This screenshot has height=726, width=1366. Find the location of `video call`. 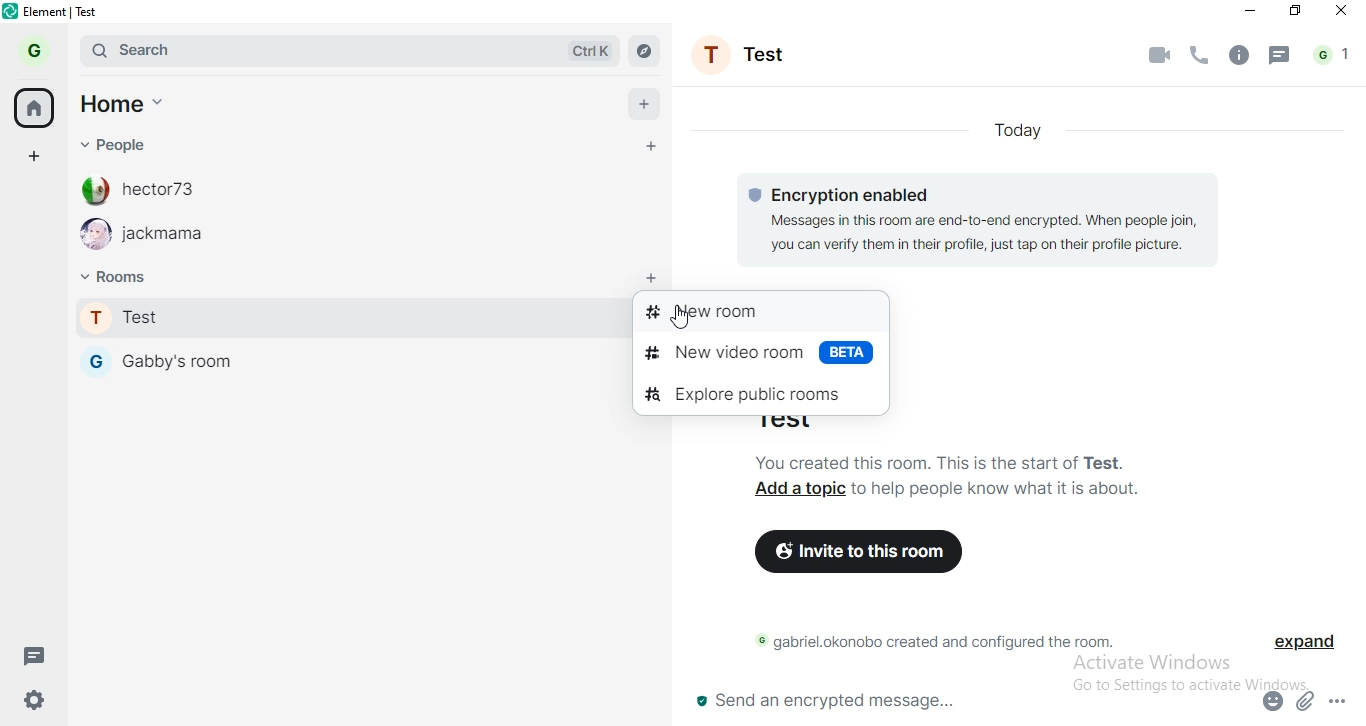

video call is located at coordinates (1162, 56).